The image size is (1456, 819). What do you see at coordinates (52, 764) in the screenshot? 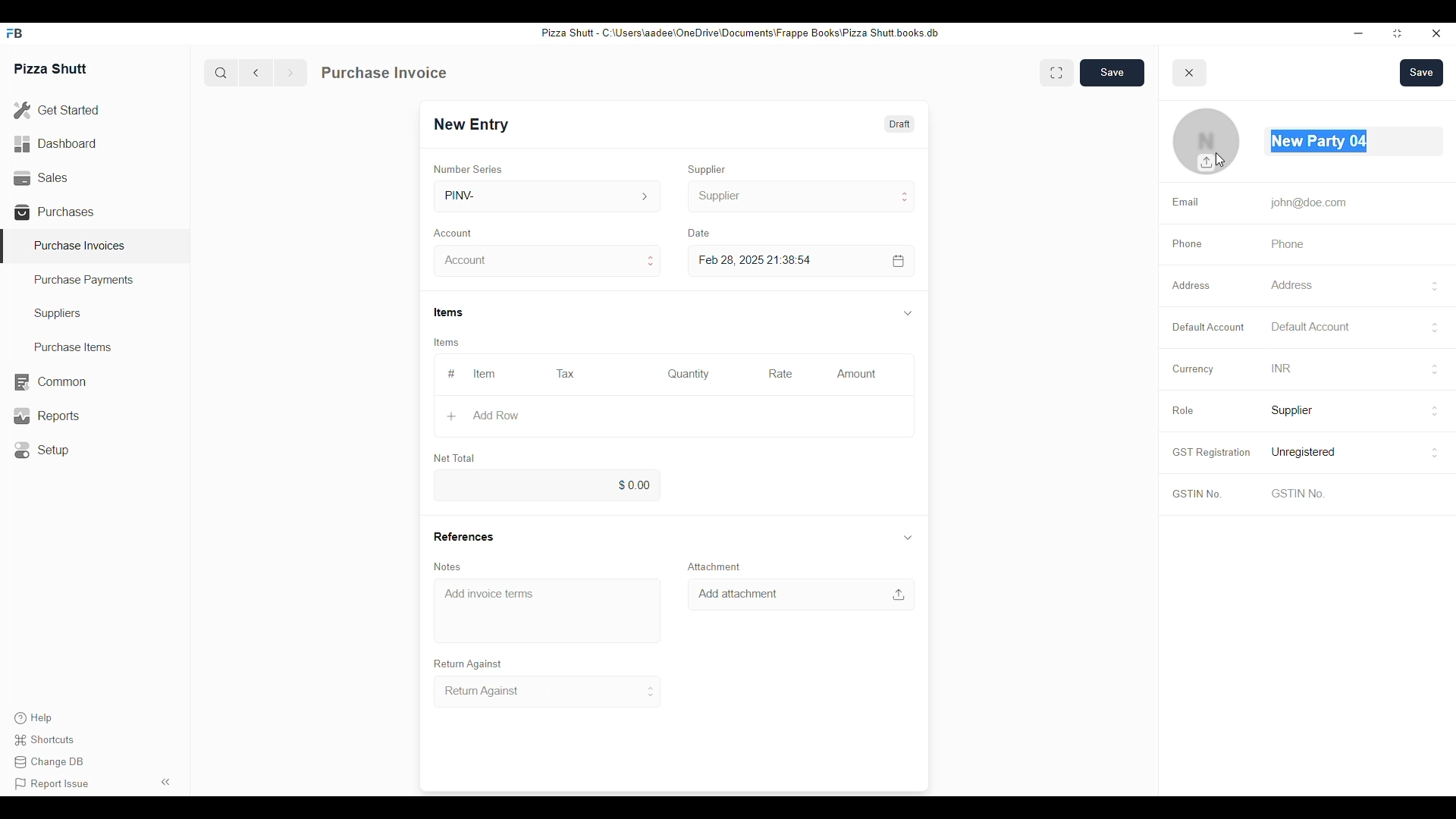
I see `Change DB` at bounding box center [52, 764].